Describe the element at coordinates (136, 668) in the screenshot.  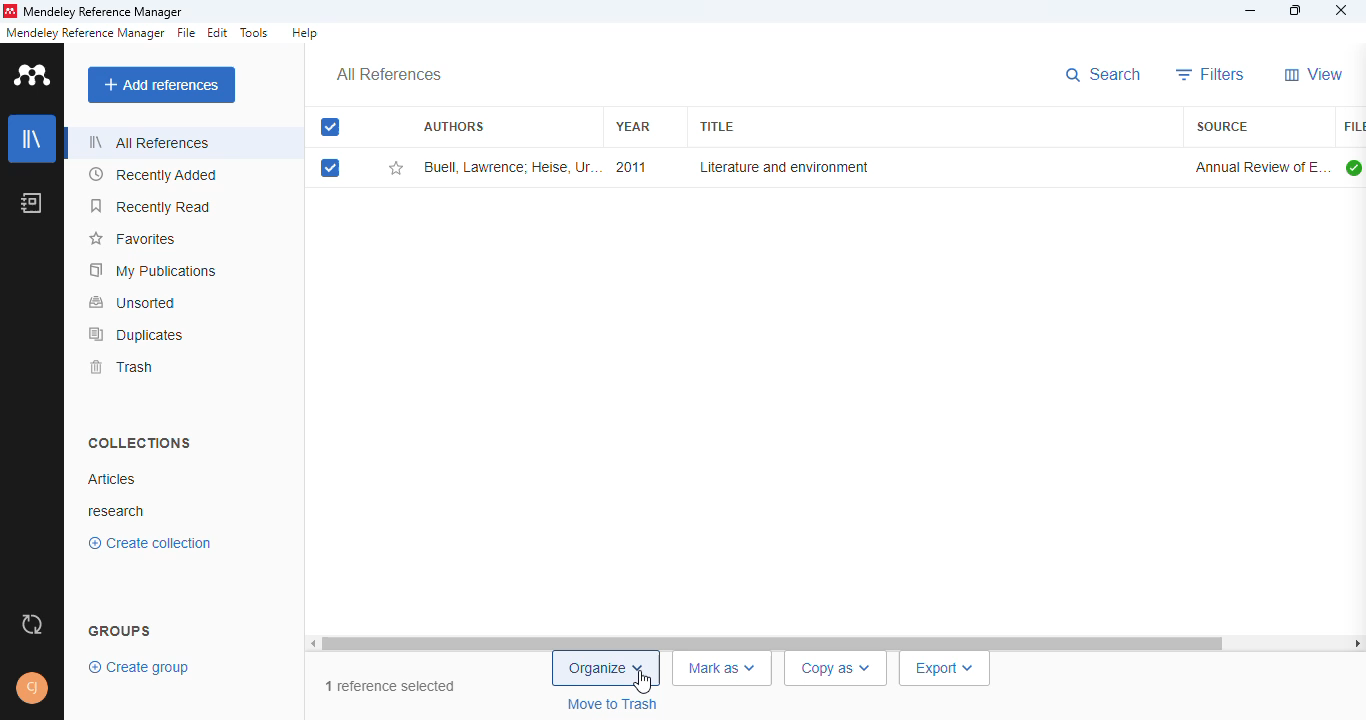
I see `create group` at that location.